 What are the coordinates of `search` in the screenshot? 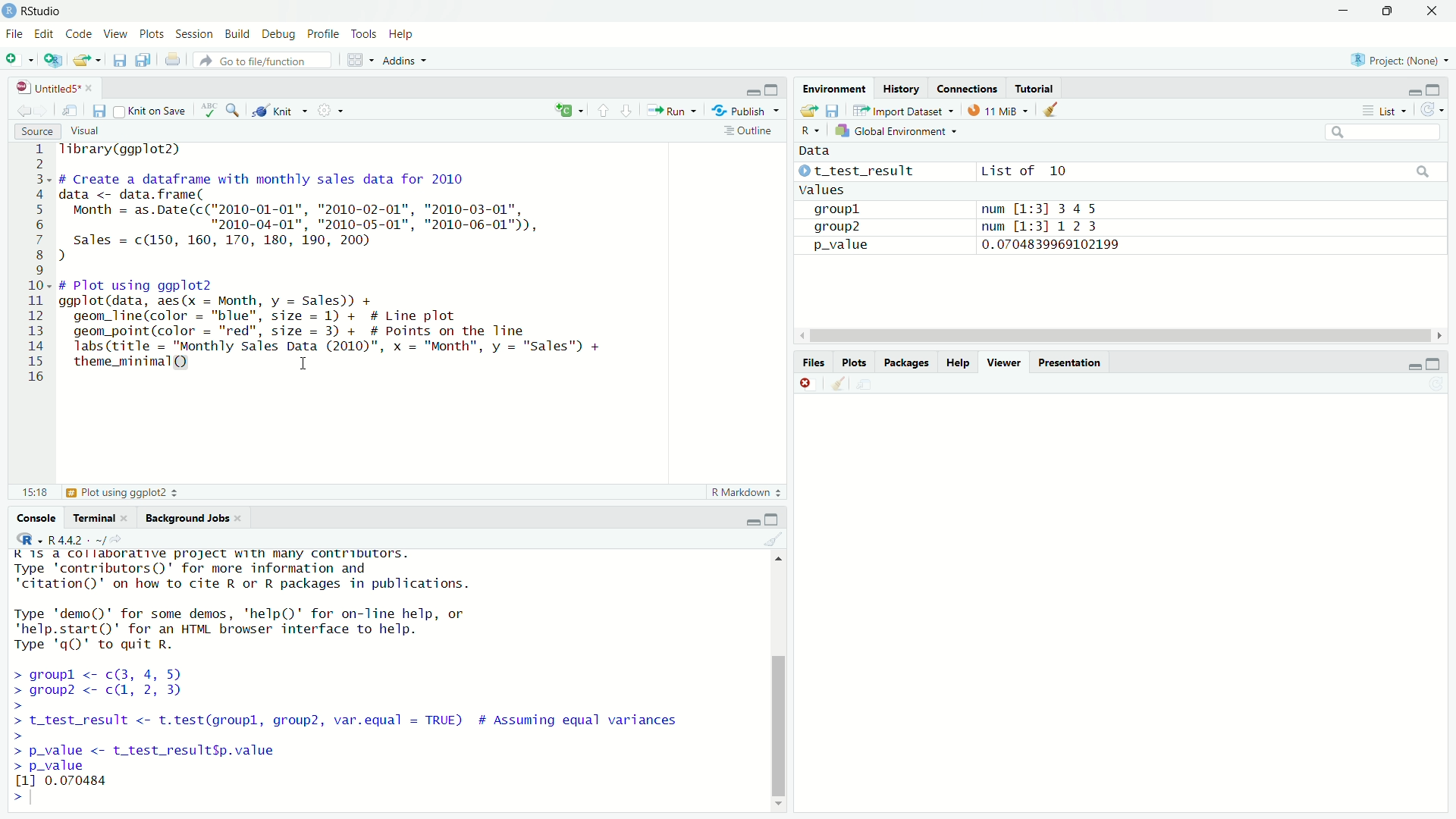 It's located at (234, 111).